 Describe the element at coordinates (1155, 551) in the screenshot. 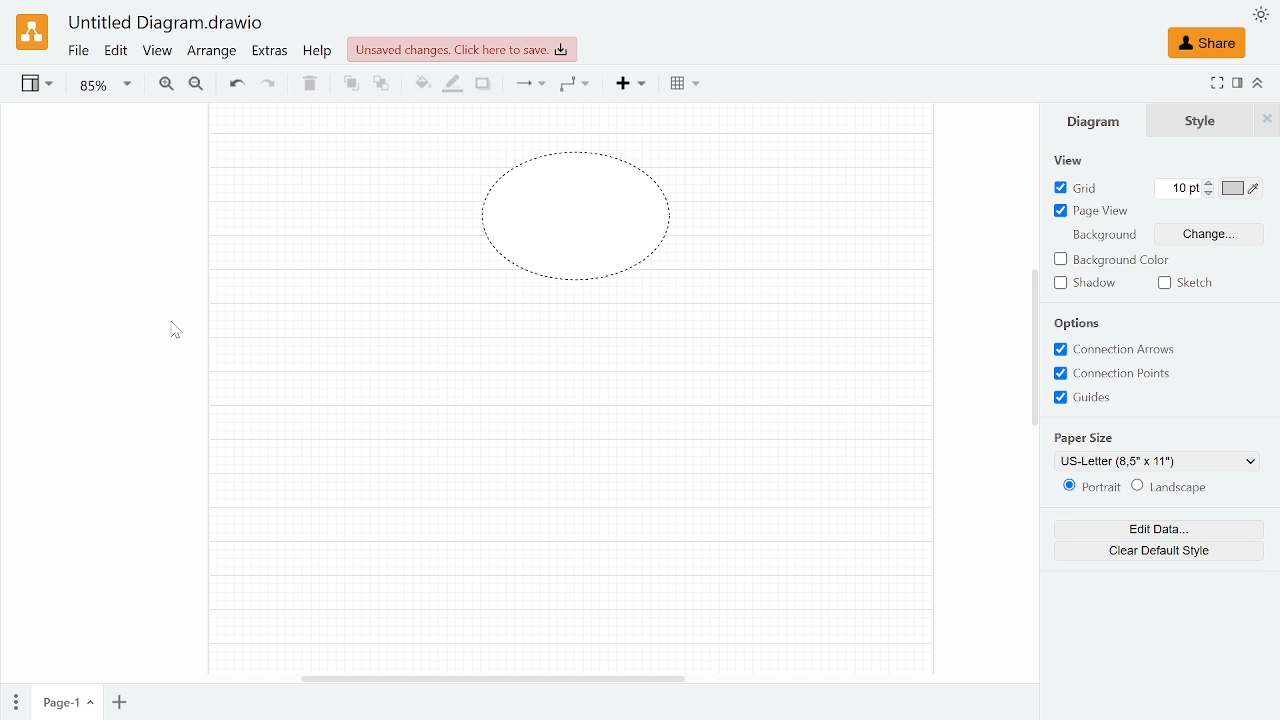

I see `CLear default style` at that location.